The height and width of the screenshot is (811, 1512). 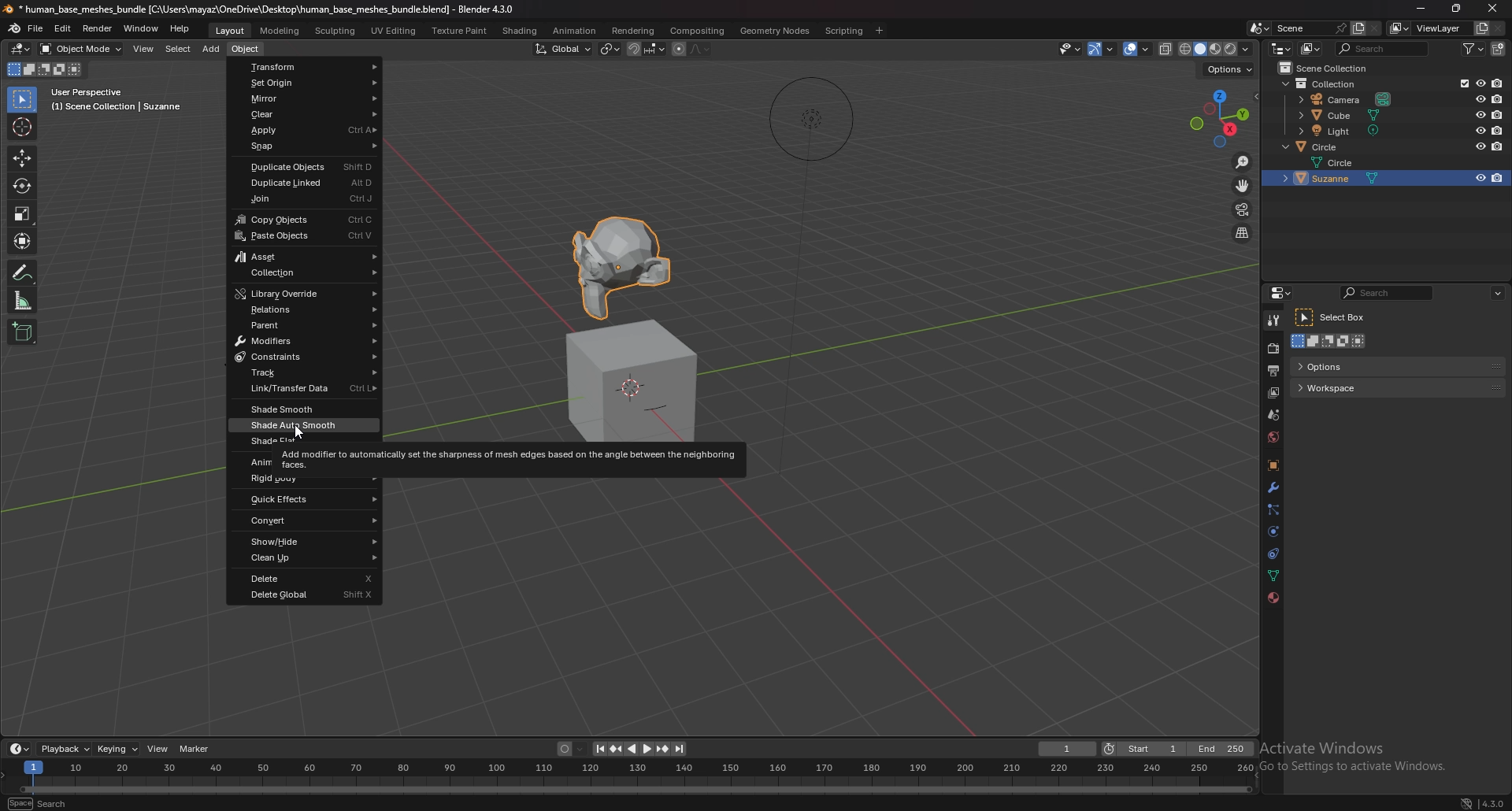 What do you see at coordinates (1273, 465) in the screenshot?
I see `object` at bounding box center [1273, 465].